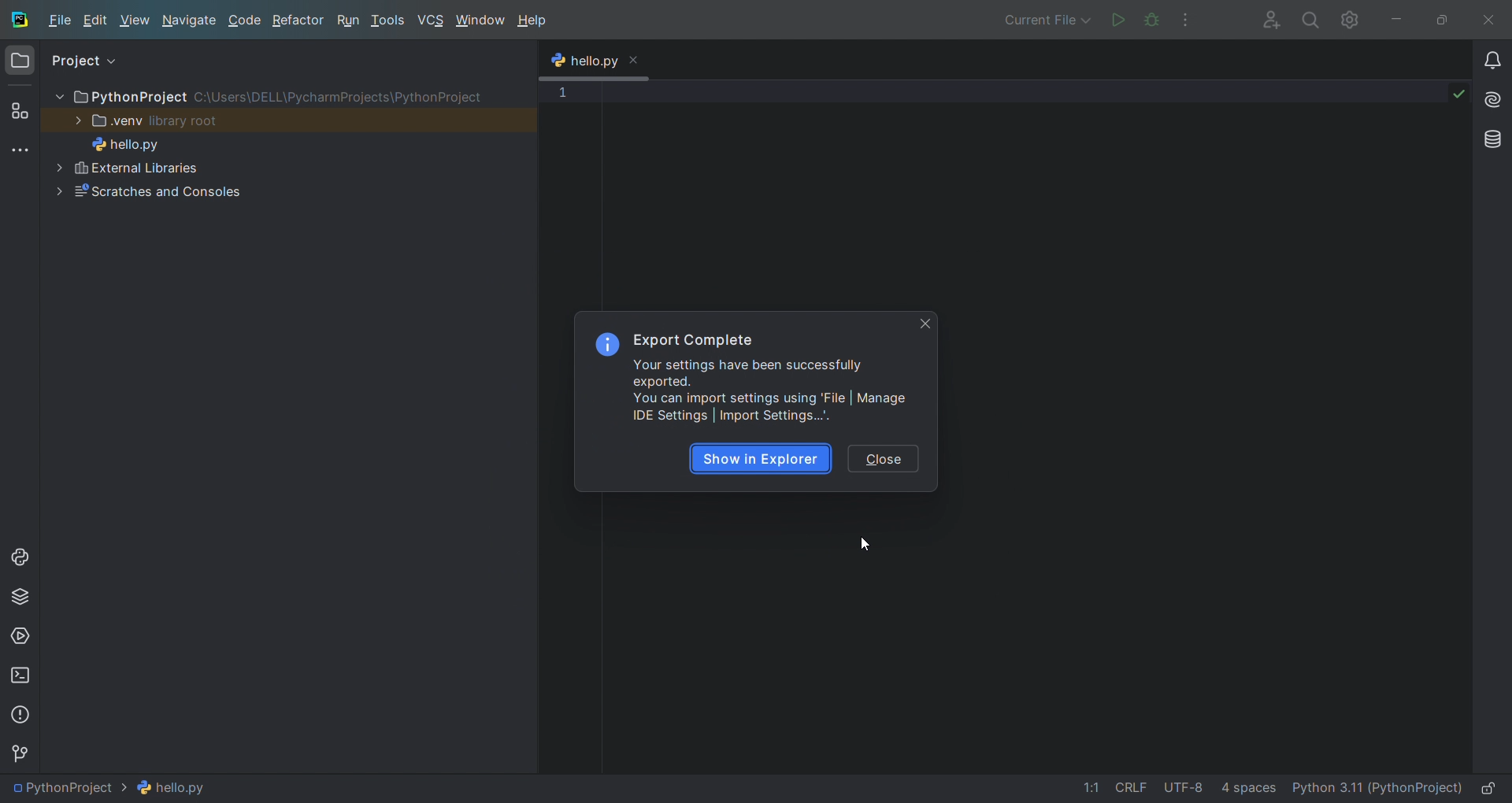 The width and height of the screenshot is (1512, 803). What do you see at coordinates (694, 341) in the screenshot?
I see `Export Complete` at bounding box center [694, 341].